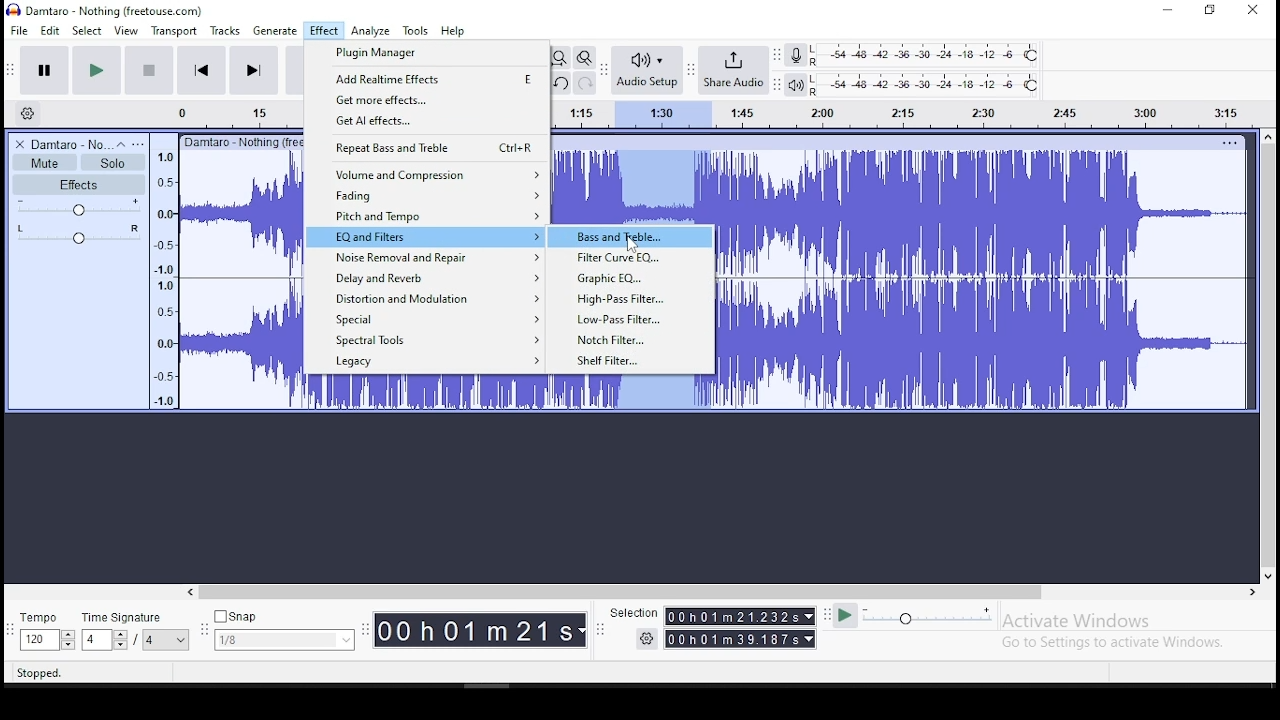 The width and height of the screenshot is (1280, 720). Describe the element at coordinates (8, 629) in the screenshot. I see `` at that location.